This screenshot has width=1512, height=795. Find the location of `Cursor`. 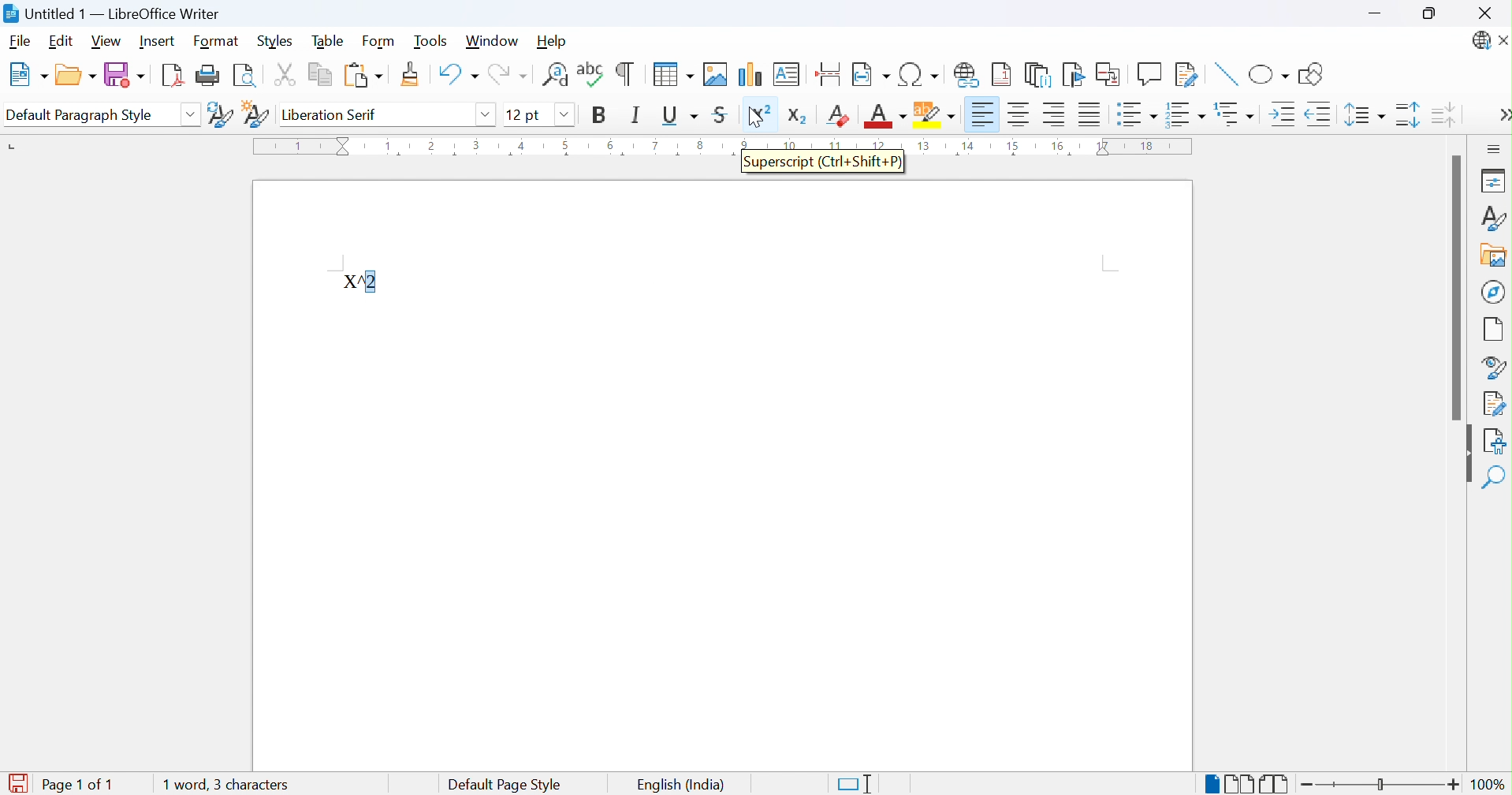

Cursor is located at coordinates (754, 115).